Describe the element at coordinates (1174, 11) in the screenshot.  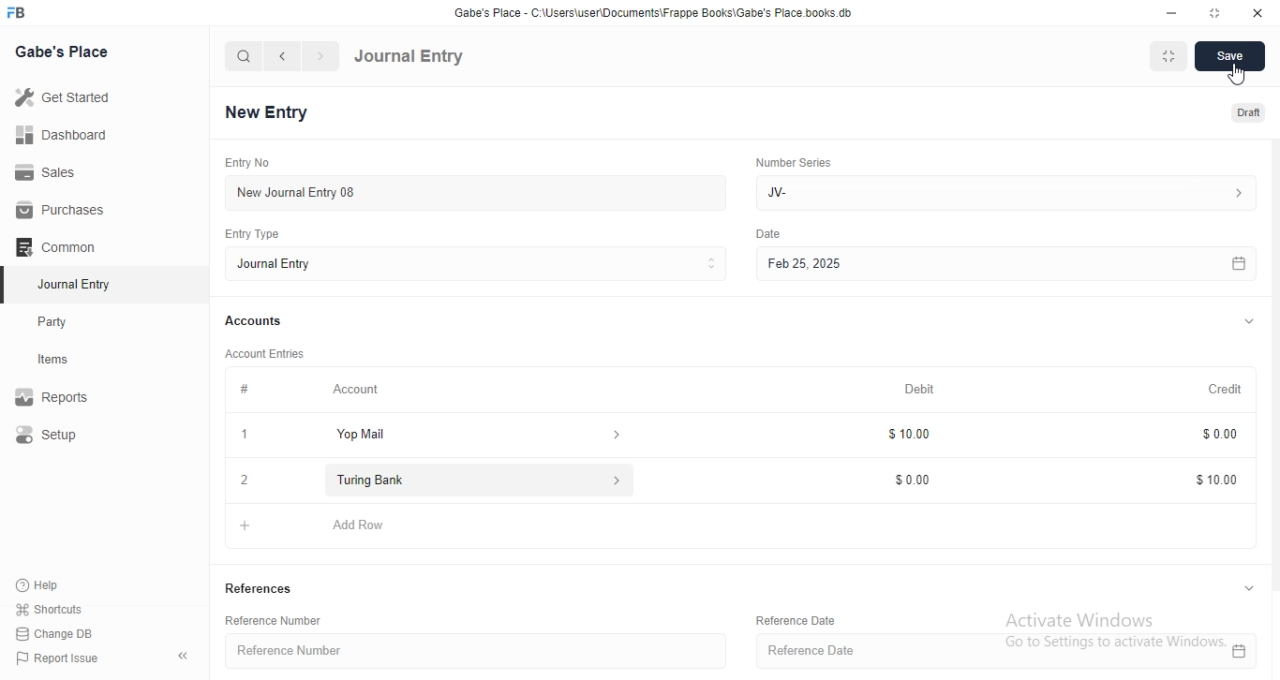
I see `minimize` at that location.